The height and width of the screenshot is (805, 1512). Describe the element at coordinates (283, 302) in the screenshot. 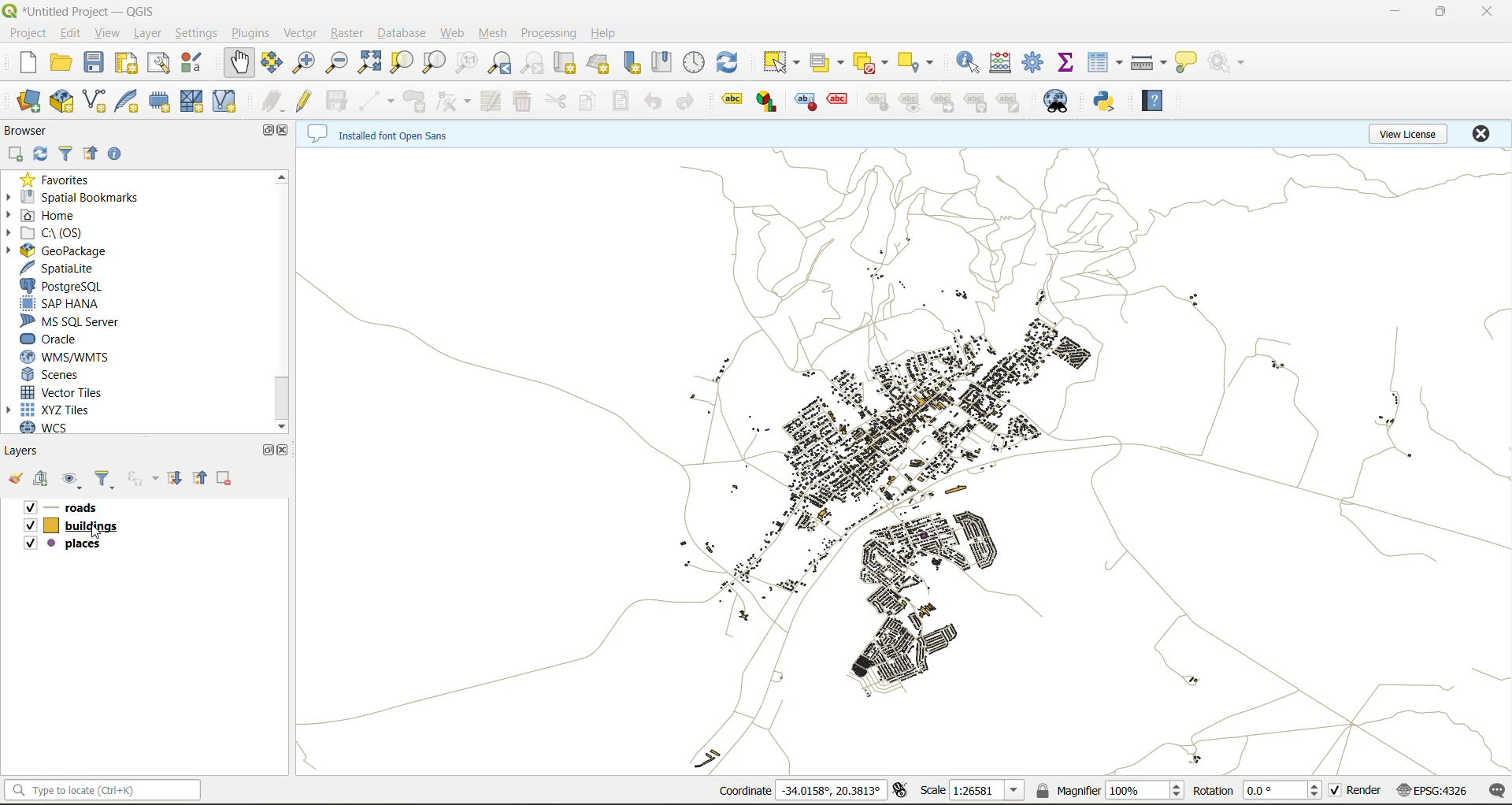

I see `scroll bar` at that location.